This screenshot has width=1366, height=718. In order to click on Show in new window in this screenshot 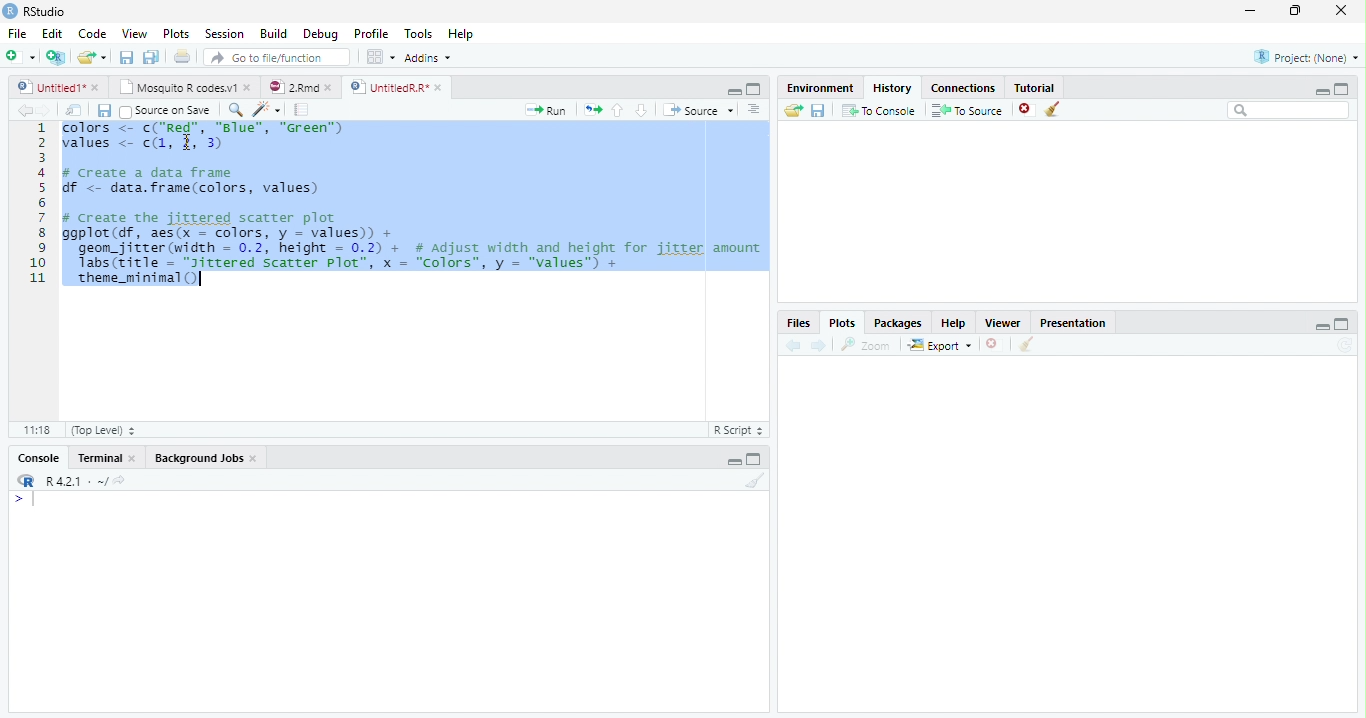, I will do `click(73, 111)`.